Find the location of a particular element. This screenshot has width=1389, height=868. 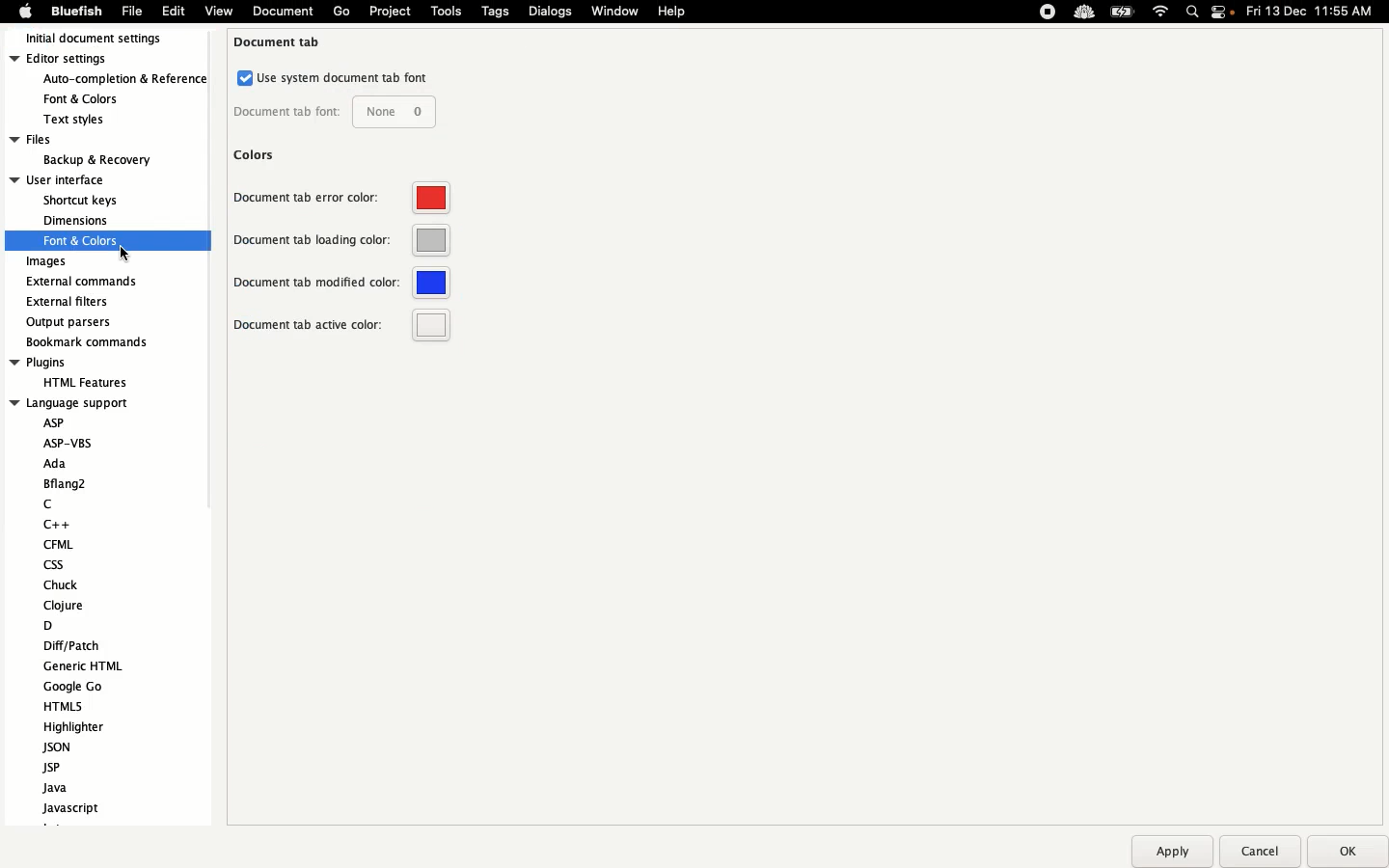

User interface  is located at coordinates (75, 179).